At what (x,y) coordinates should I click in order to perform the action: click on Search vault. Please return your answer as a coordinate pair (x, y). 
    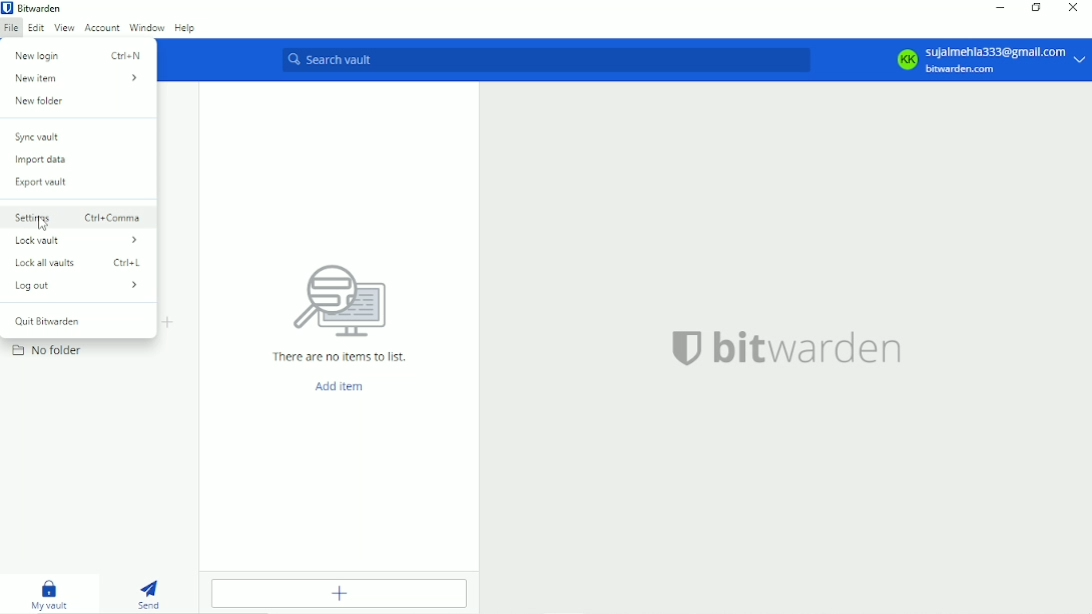
    Looking at the image, I should click on (550, 57).